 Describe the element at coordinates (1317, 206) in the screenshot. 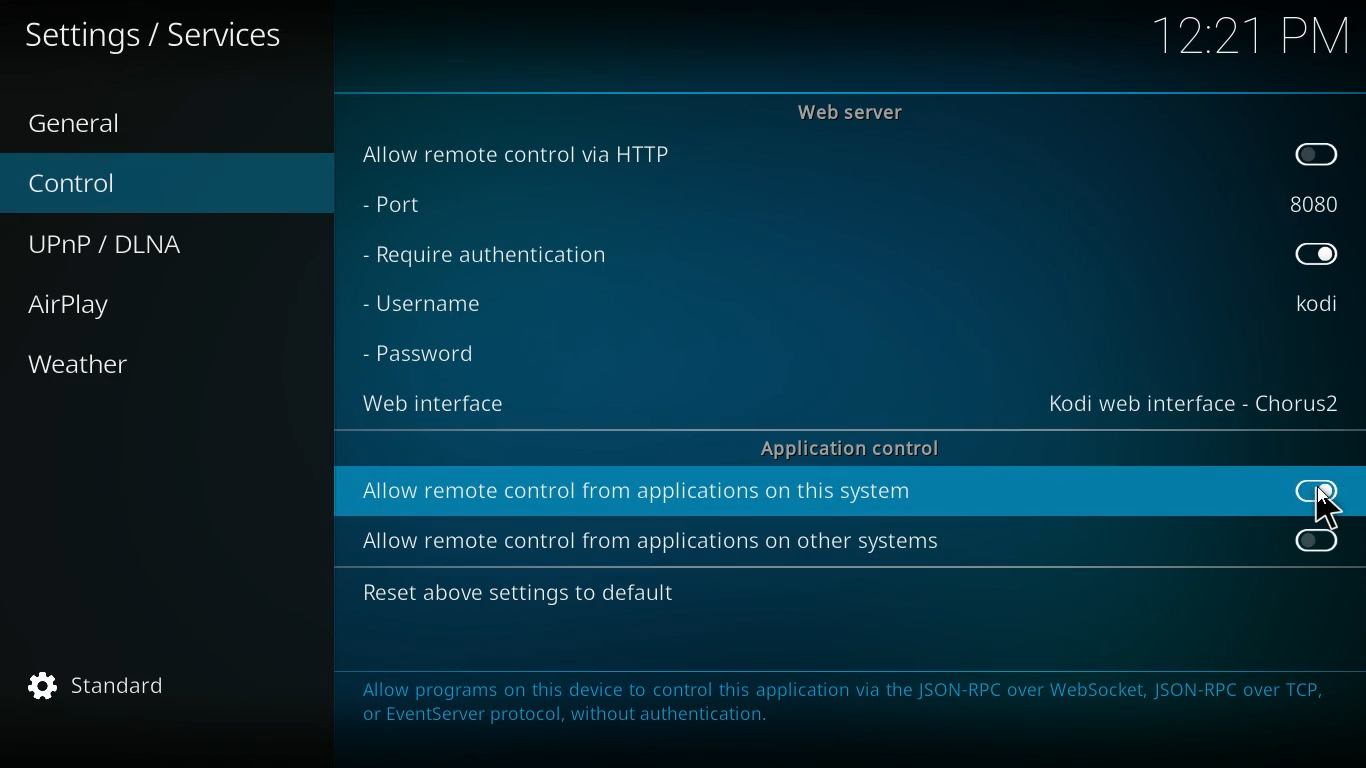

I see `port` at that location.